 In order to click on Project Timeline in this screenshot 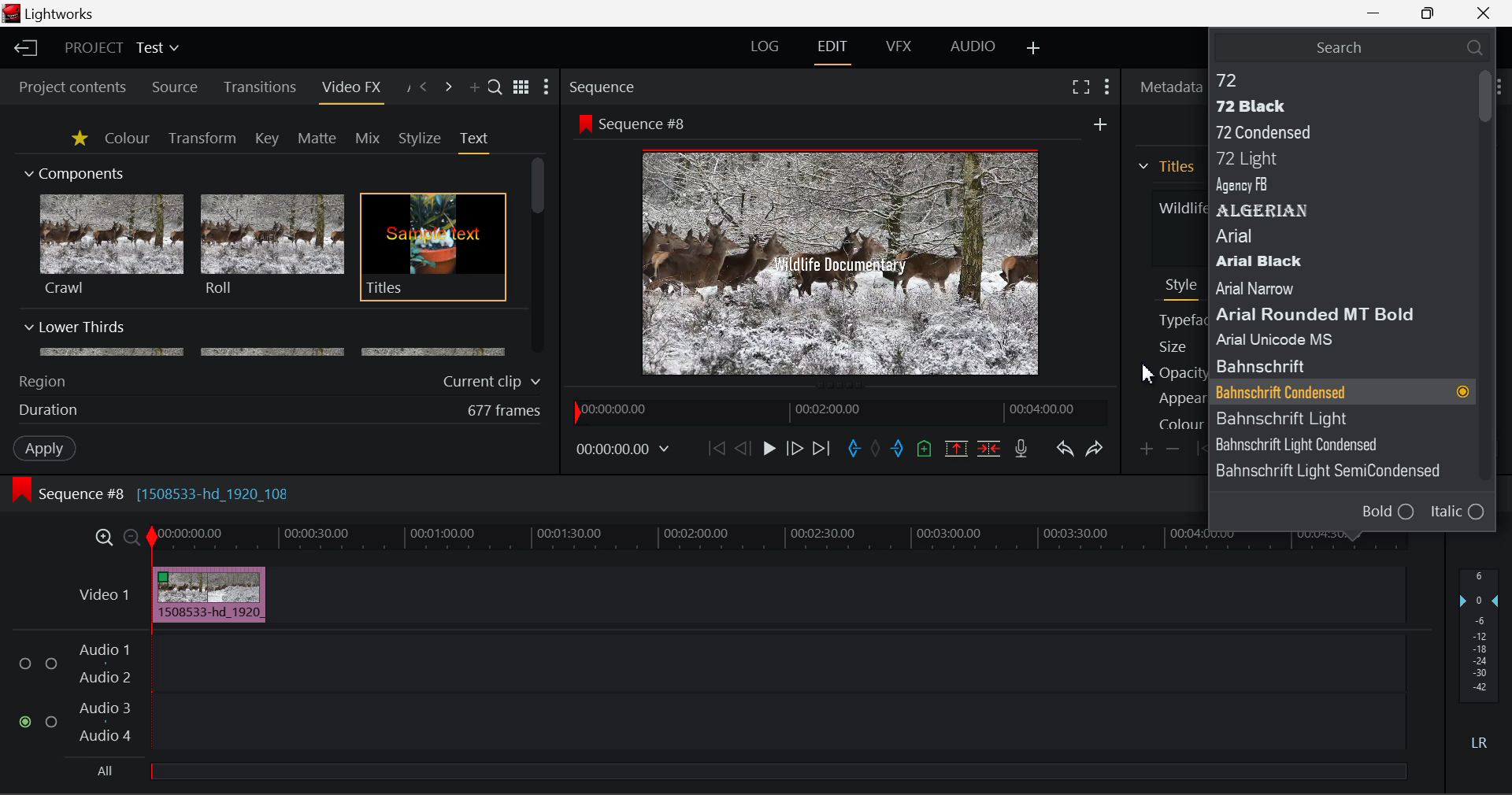, I will do `click(779, 541)`.